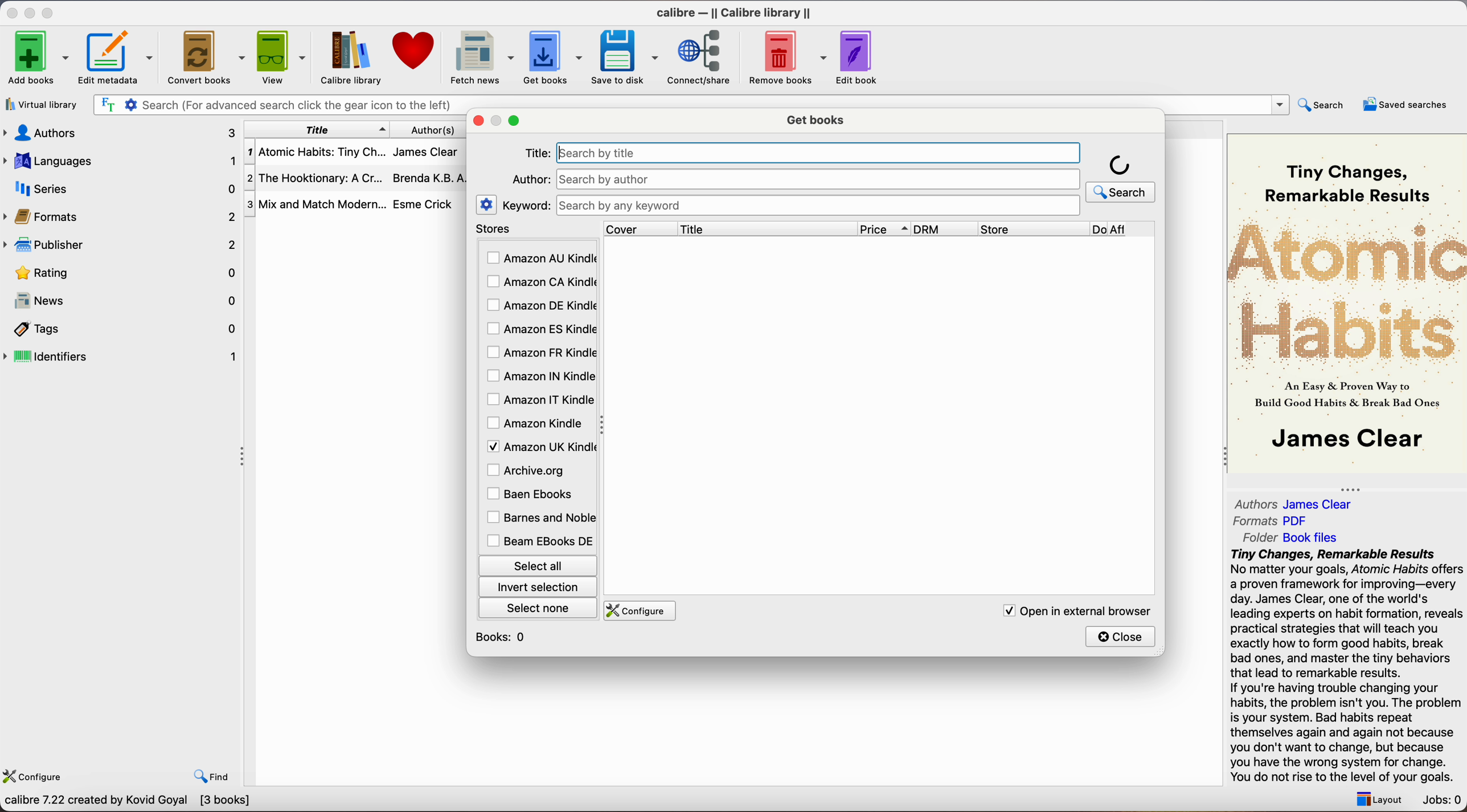 This screenshot has height=812, width=1467. I want to click on search, so click(1323, 104).